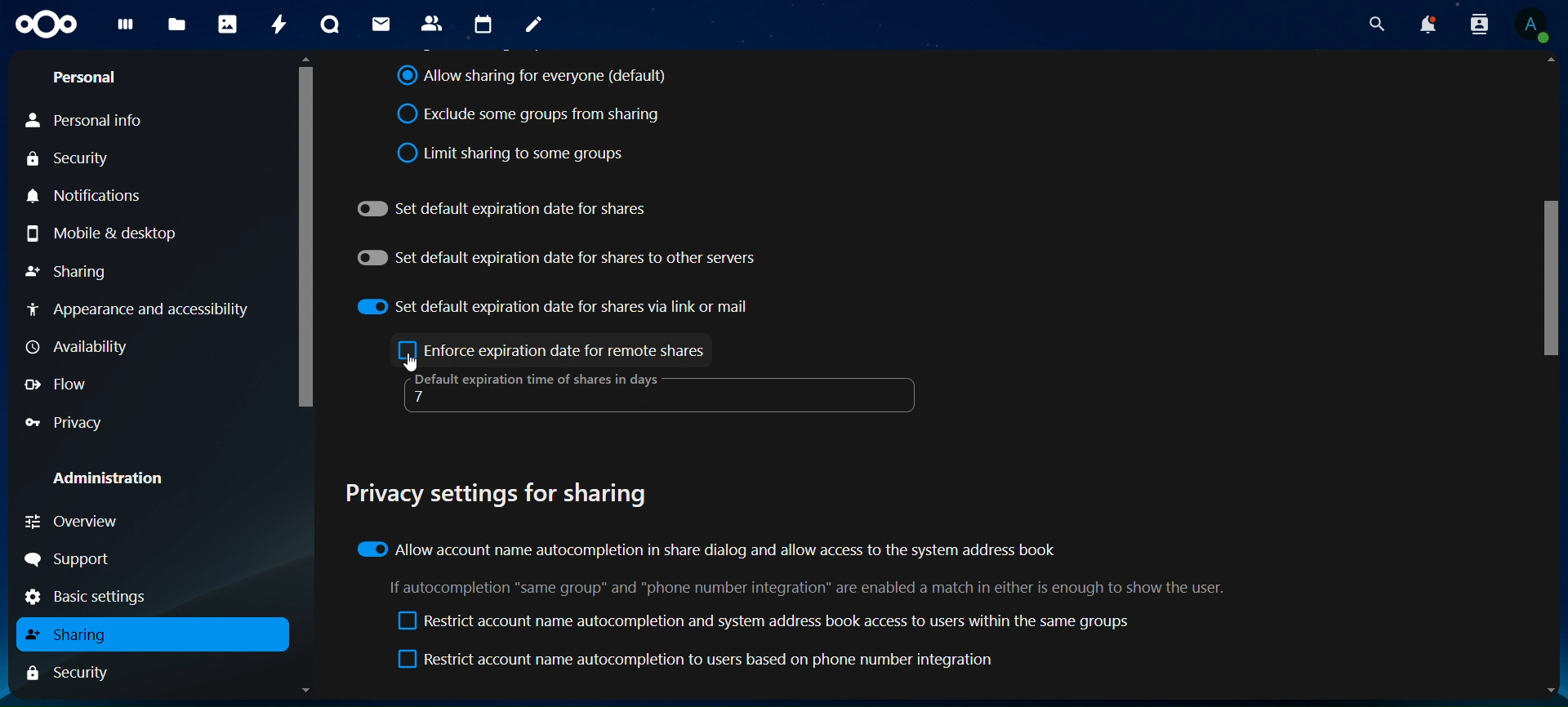 This screenshot has height=707, width=1568. What do you see at coordinates (72, 422) in the screenshot?
I see `privacy` at bounding box center [72, 422].